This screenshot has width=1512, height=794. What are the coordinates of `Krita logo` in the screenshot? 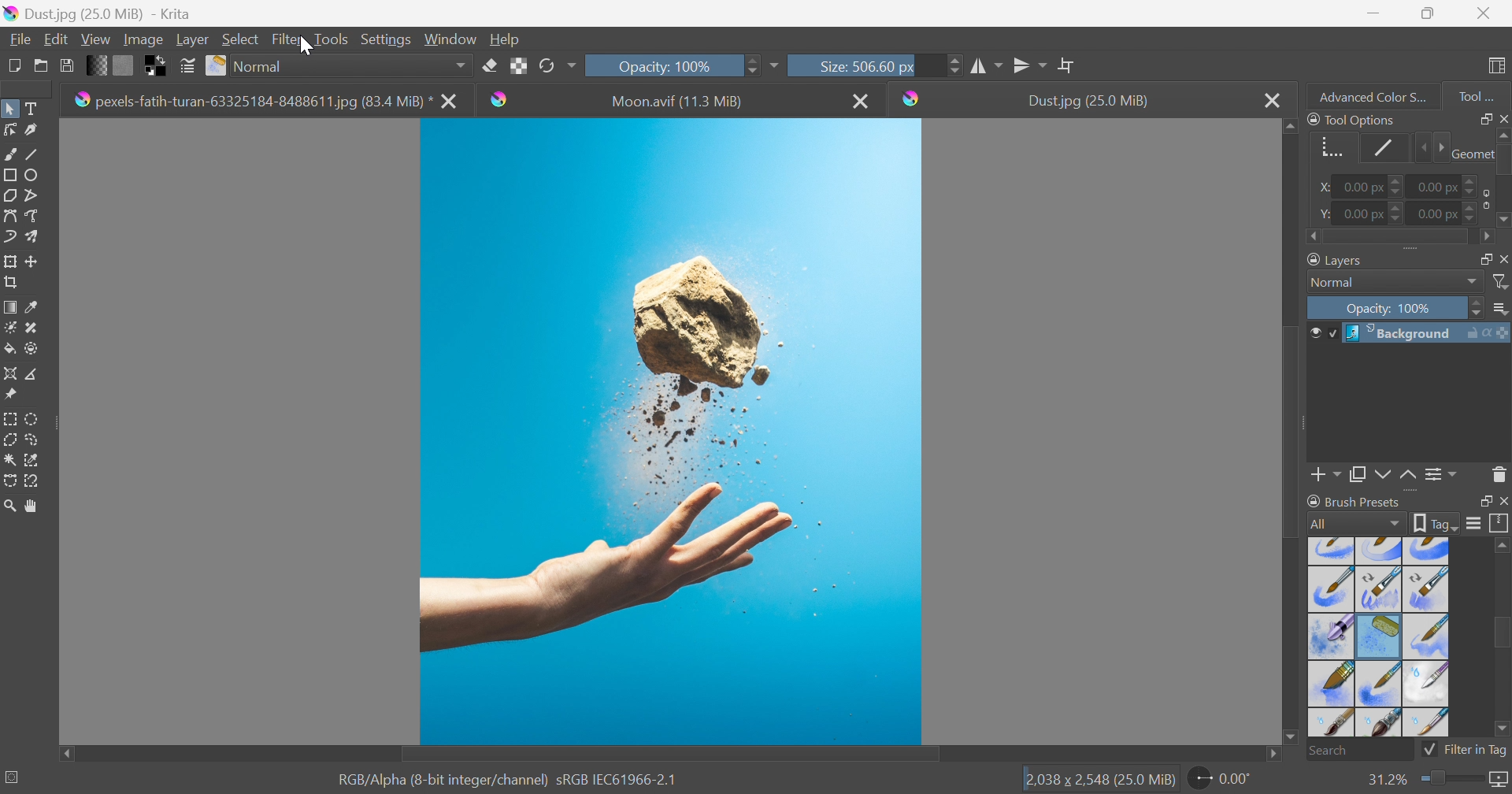 It's located at (498, 98).